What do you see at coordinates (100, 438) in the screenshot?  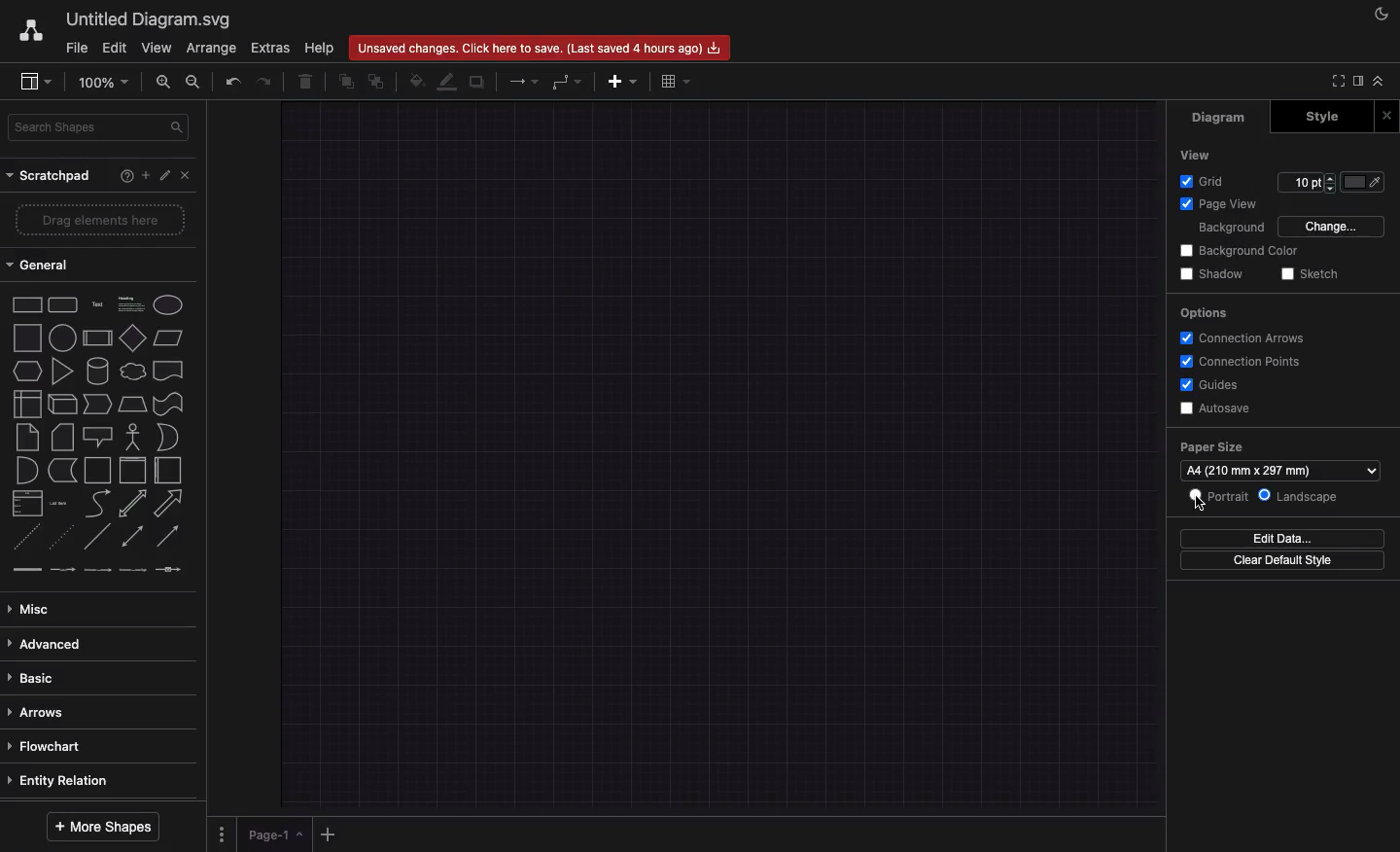 I see `Shapes` at bounding box center [100, 438].